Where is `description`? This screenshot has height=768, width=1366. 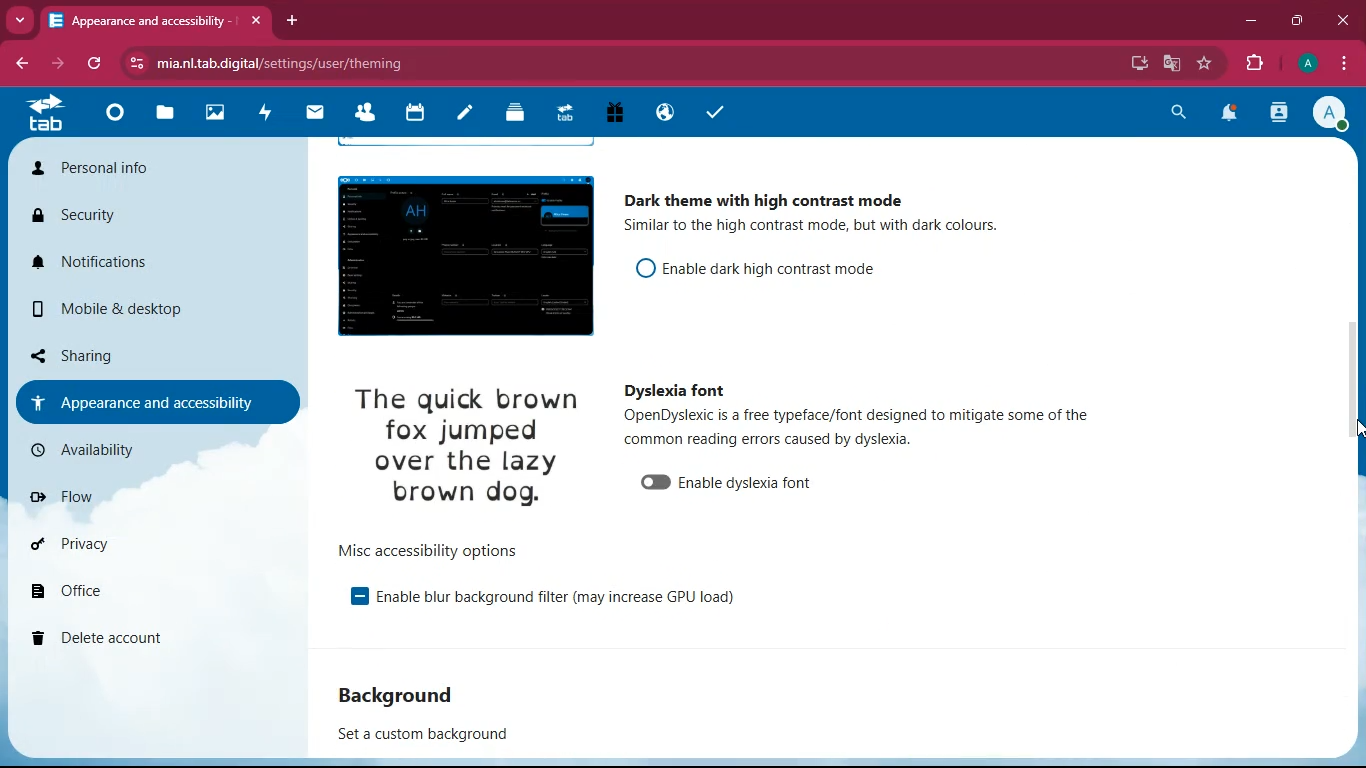 description is located at coordinates (820, 228).